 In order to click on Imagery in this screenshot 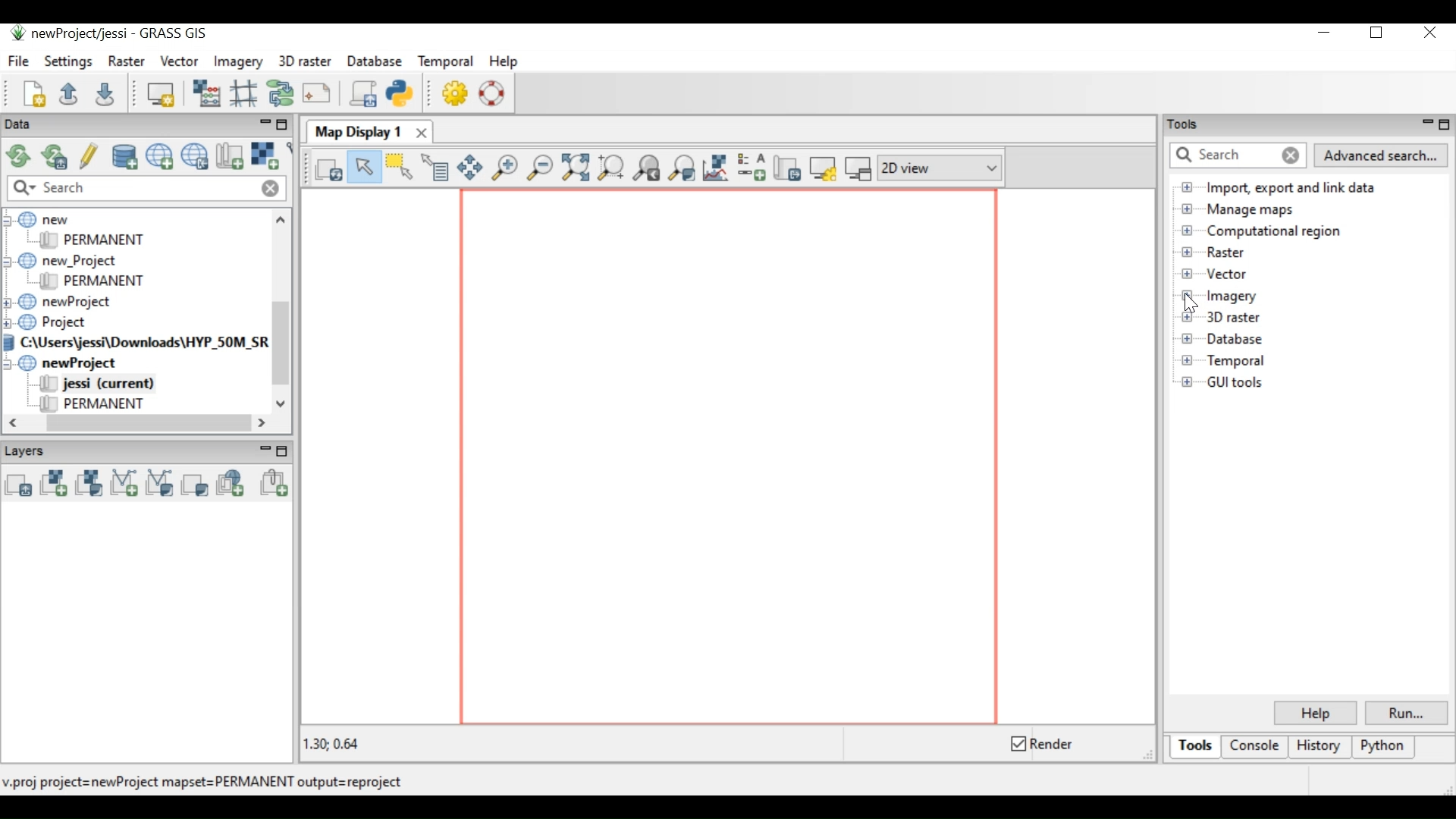, I will do `click(239, 61)`.